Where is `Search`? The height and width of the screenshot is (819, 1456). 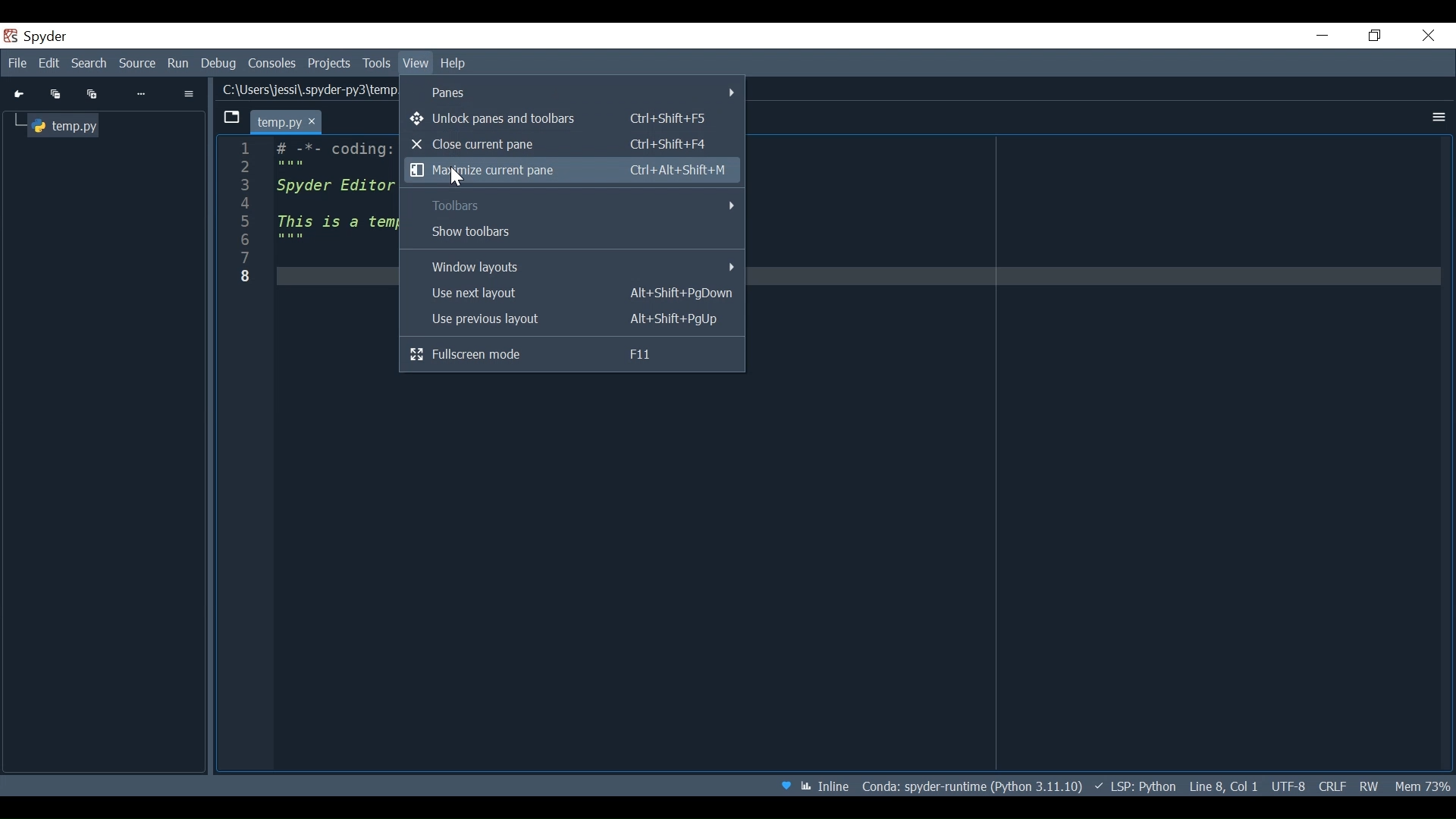 Search is located at coordinates (90, 64).